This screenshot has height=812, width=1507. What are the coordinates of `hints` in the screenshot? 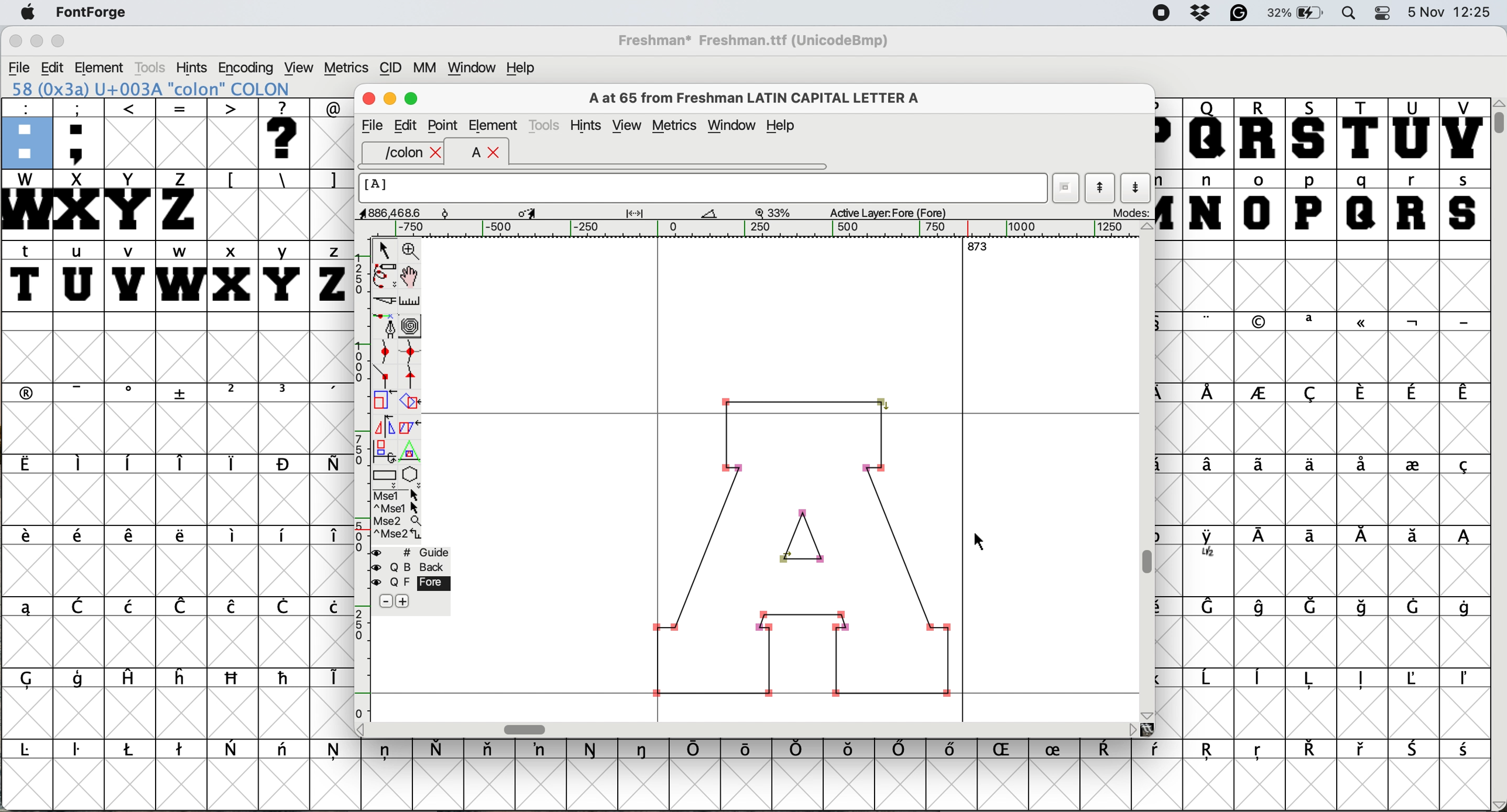 It's located at (194, 67).